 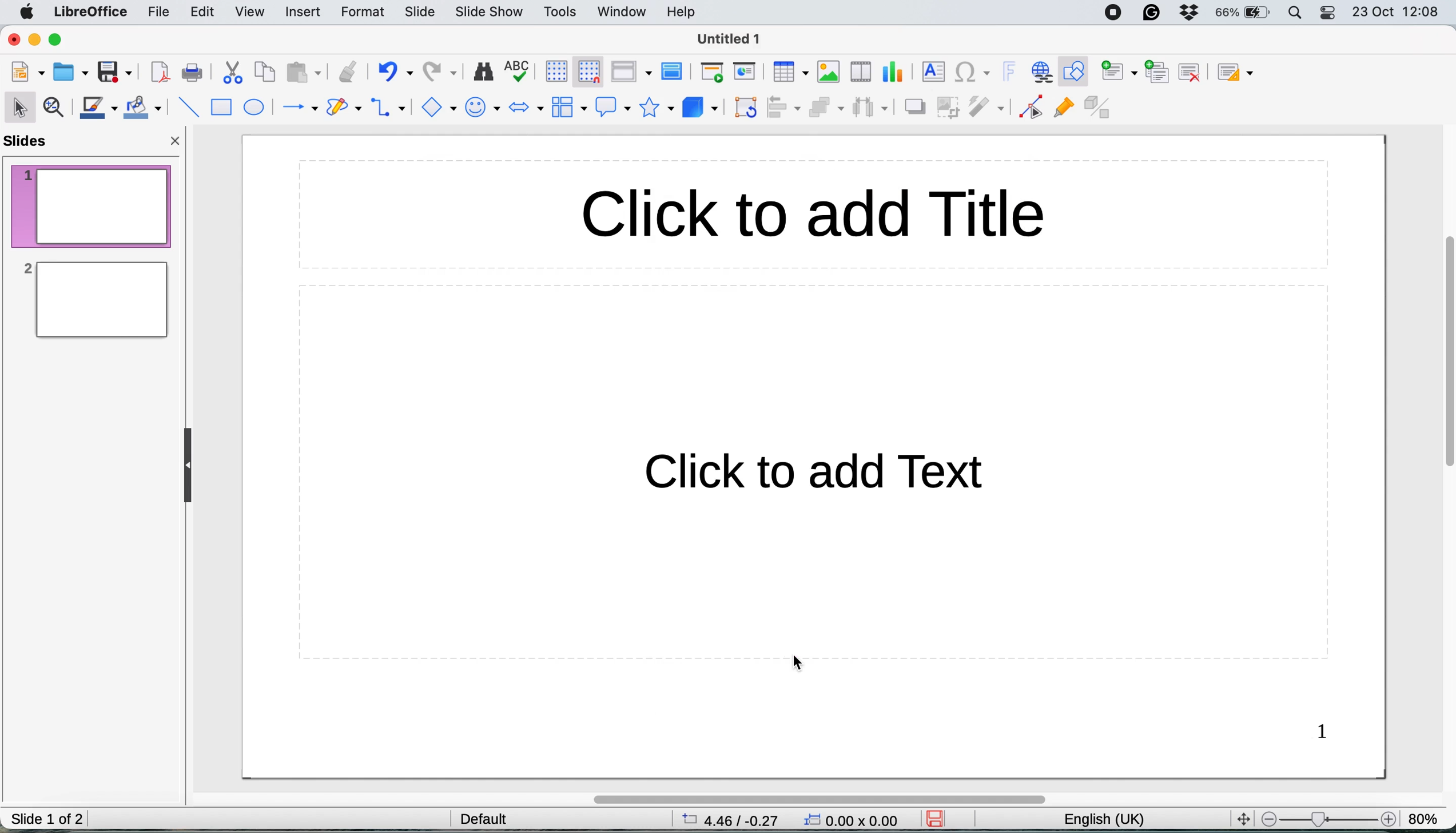 I want to click on paste, so click(x=301, y=72).